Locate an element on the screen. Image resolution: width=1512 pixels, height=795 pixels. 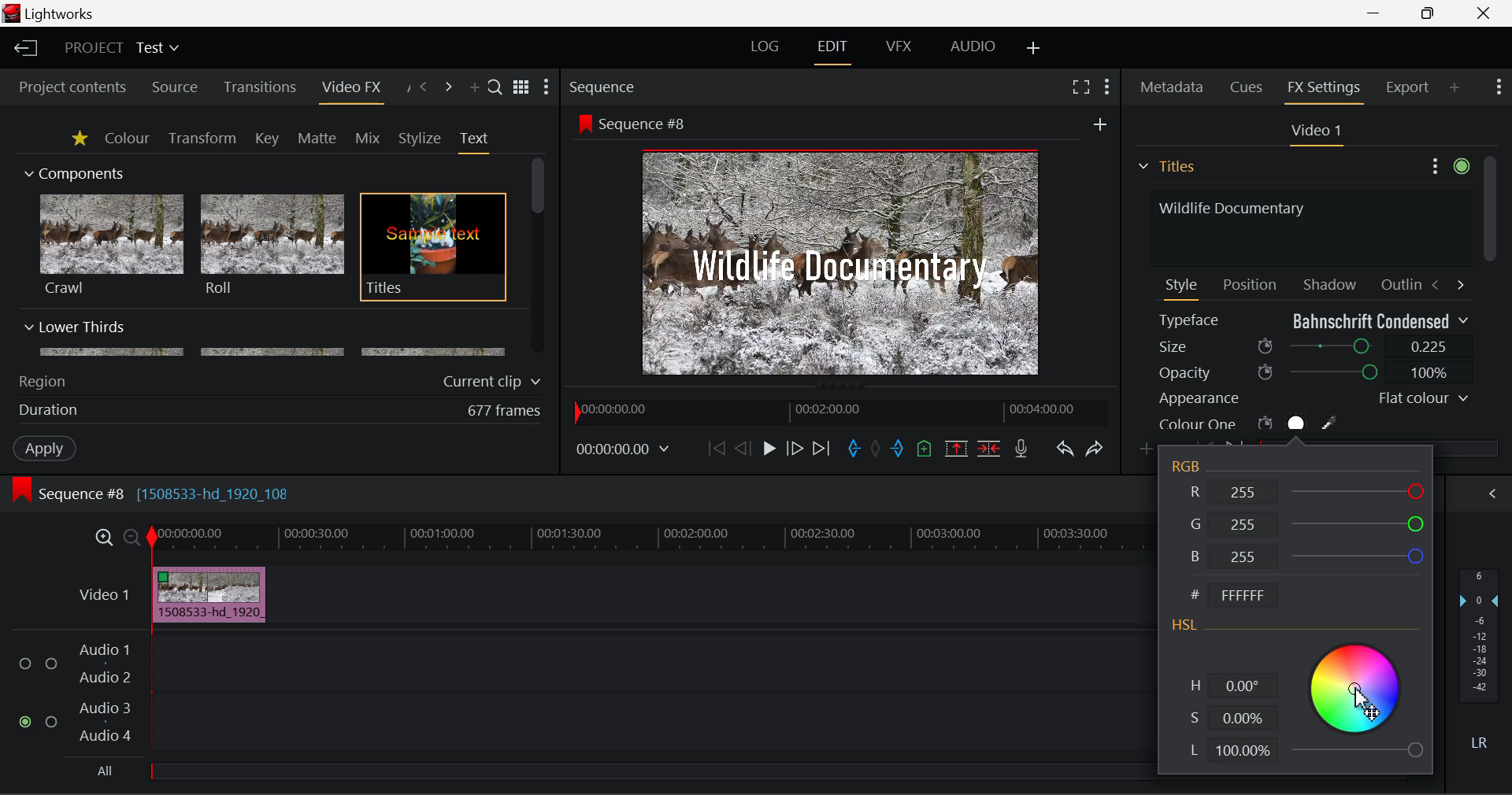
Lower Thirds is located at coordinates (266, 338).